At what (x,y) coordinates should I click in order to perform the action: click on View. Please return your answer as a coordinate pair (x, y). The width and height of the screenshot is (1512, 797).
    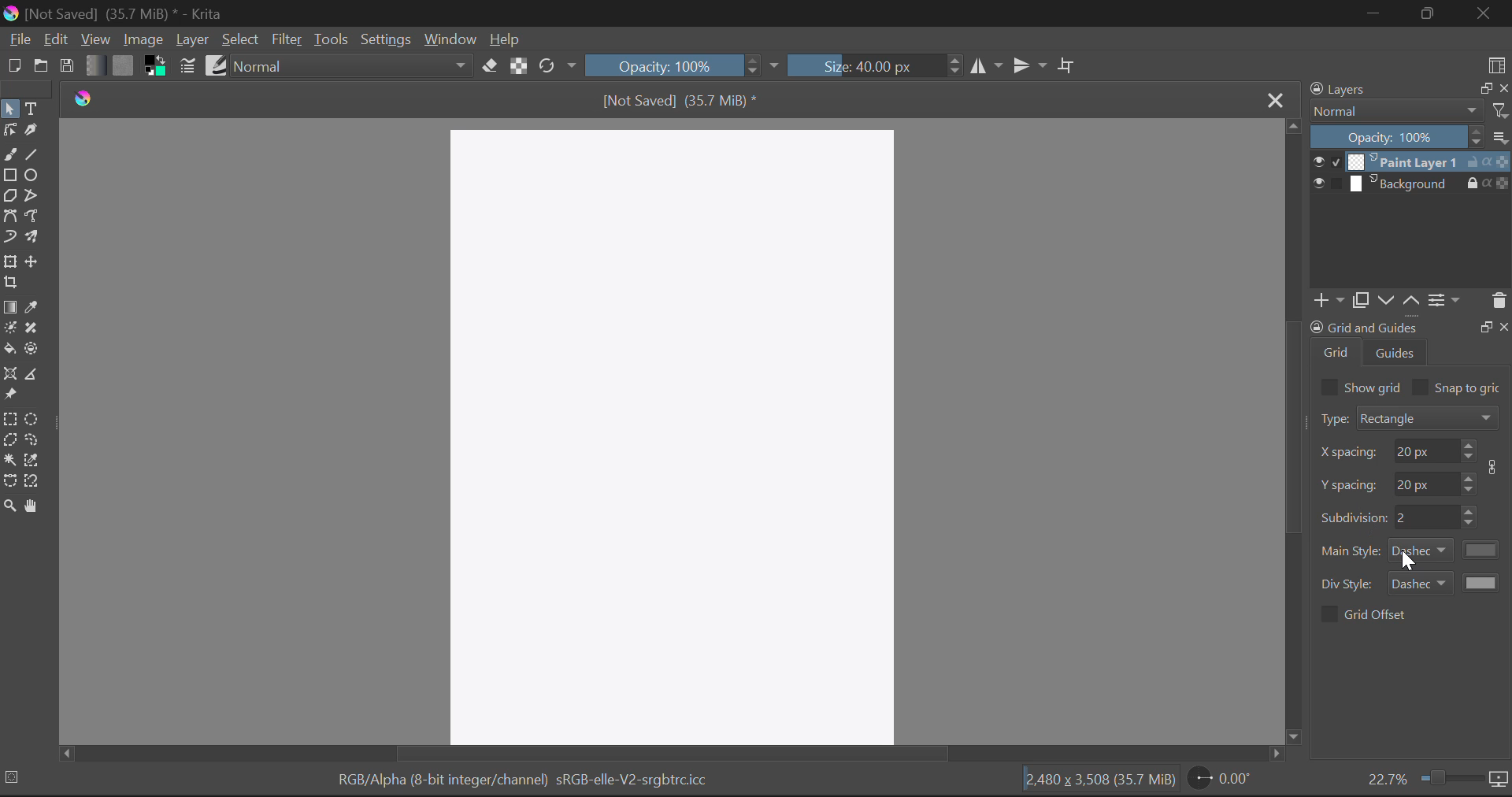
    Looking at the image, I should click on (95, 39).